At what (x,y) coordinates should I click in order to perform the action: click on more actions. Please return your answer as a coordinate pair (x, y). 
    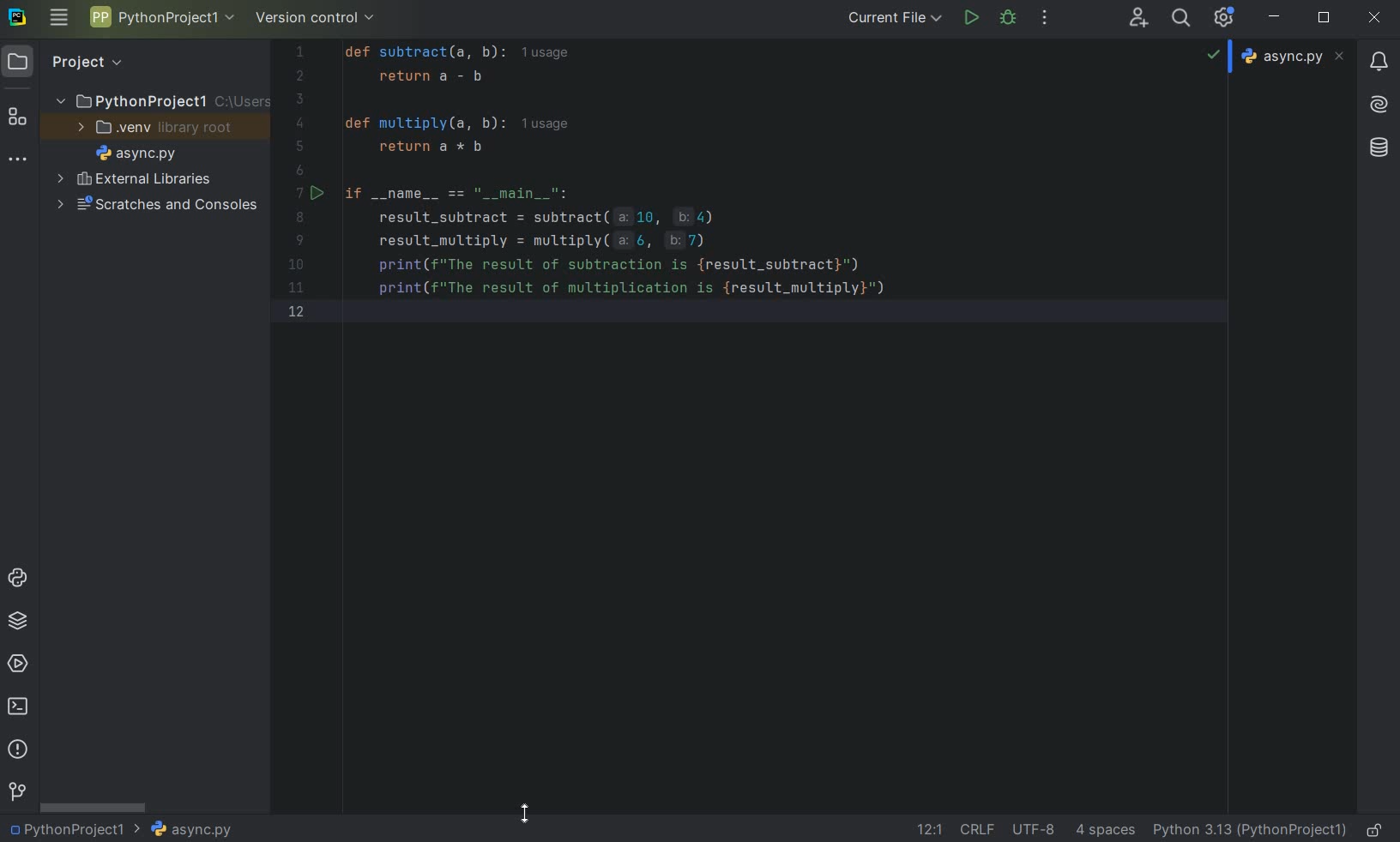
    Looking at the image, I should click on (1043, 19).